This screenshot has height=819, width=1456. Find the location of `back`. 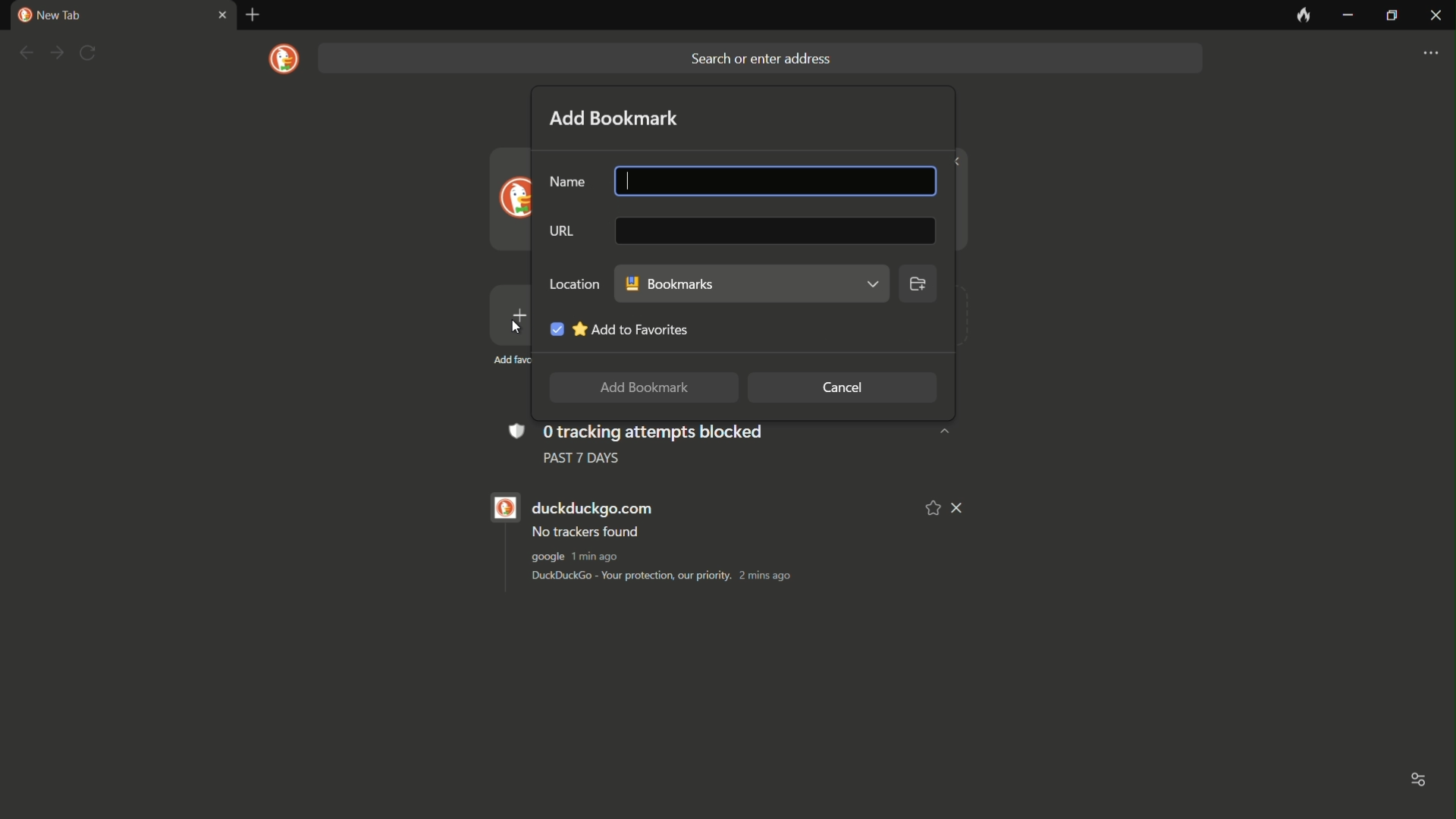

back is located at coordinates (25, 53).